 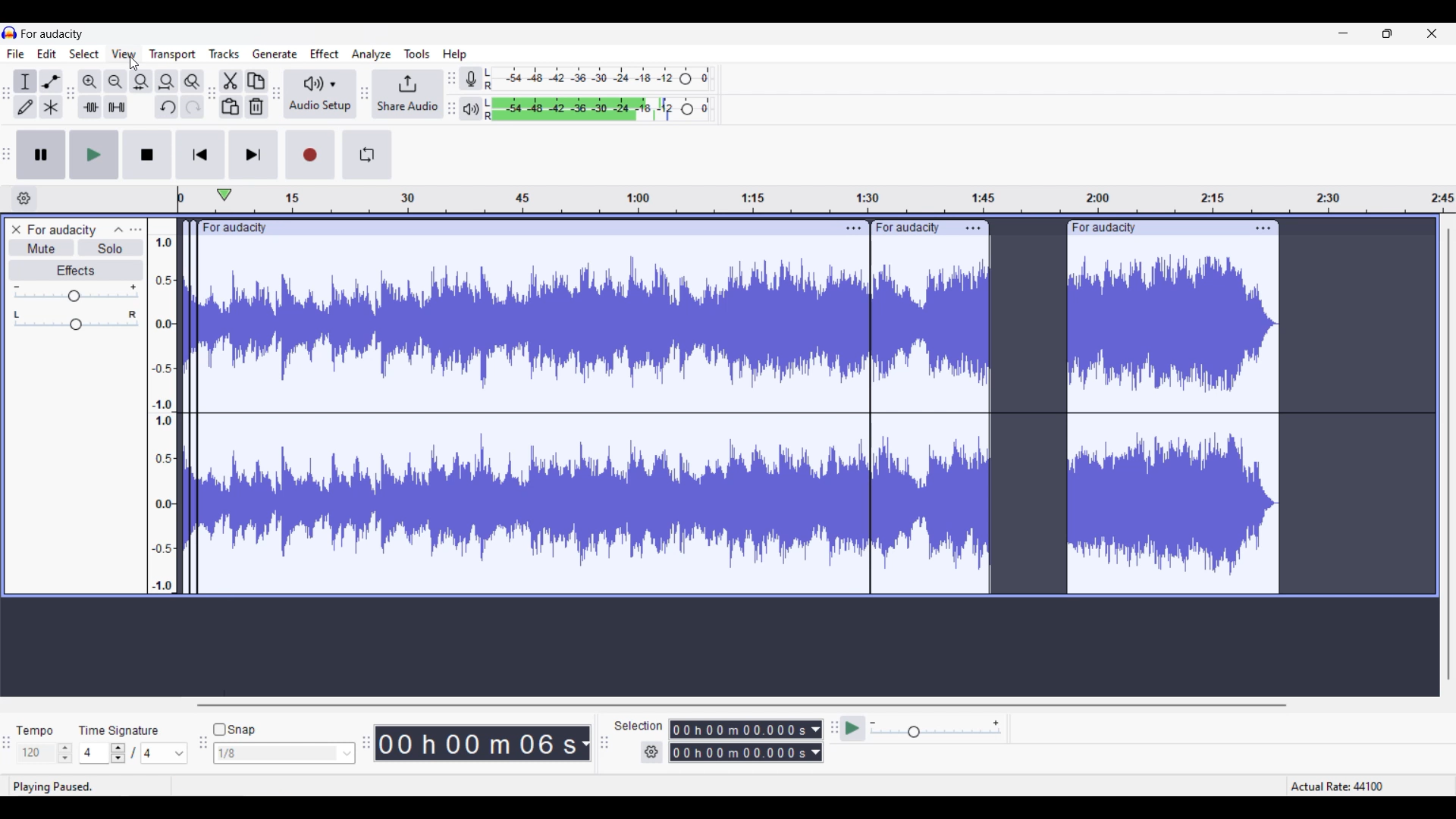 What do you see at coordinates (16, 53) in the screenshot?
I see `File menu` at bounding box center [16, 53].